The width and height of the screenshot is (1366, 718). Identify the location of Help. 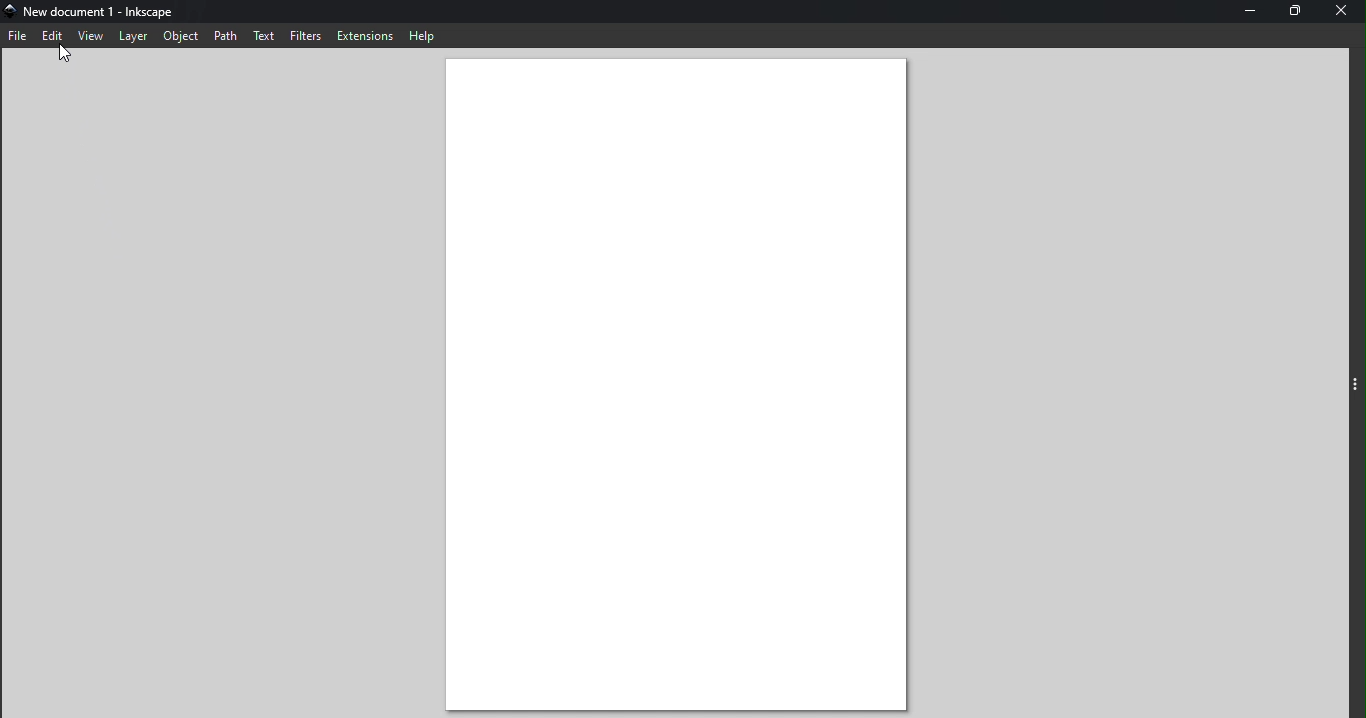
(427, 35).